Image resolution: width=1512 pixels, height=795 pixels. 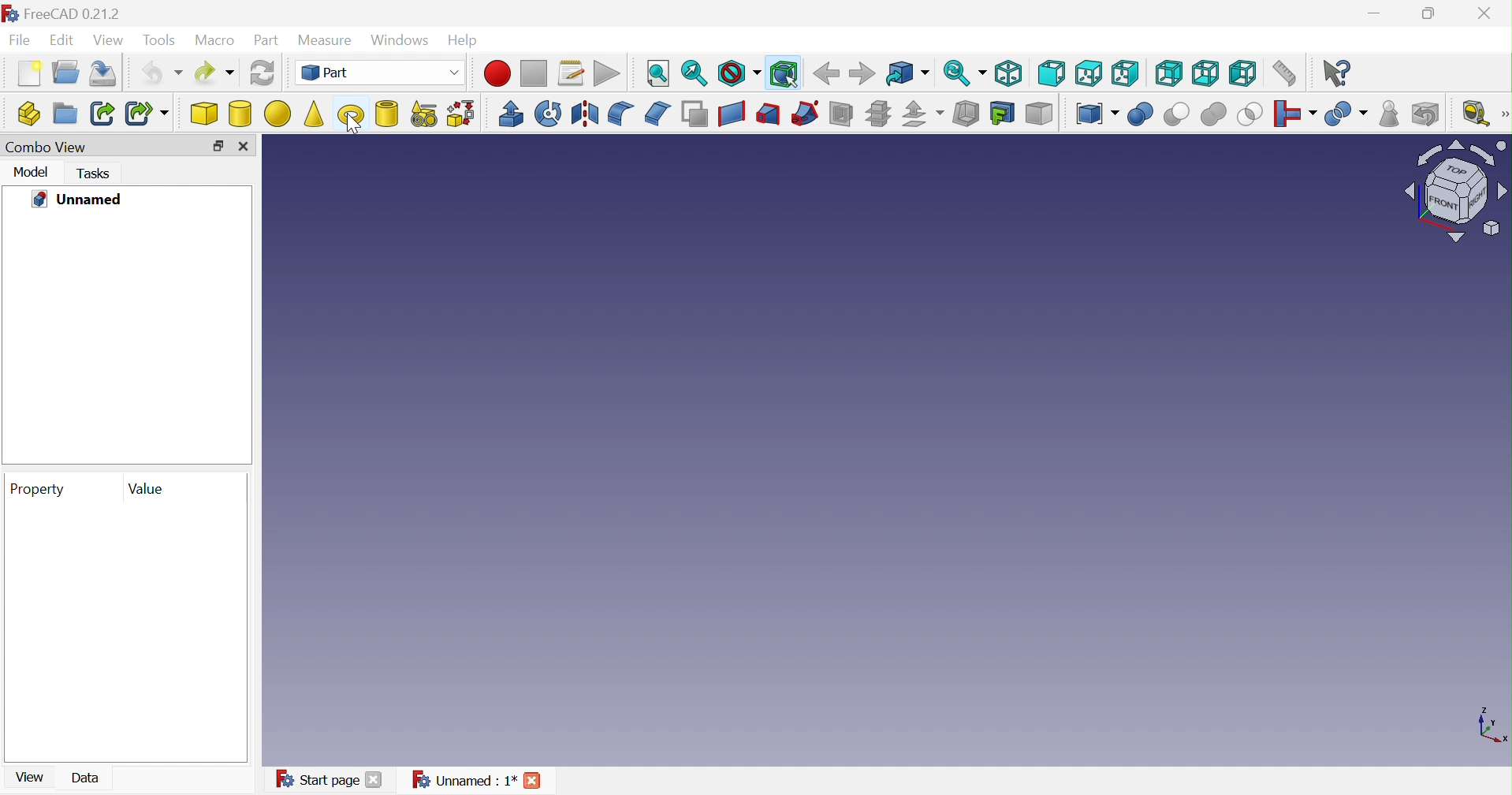 What do you see at coordinates (1492, 13) in the screenshot?
I see `Close` at bounding box center [1492, 13].